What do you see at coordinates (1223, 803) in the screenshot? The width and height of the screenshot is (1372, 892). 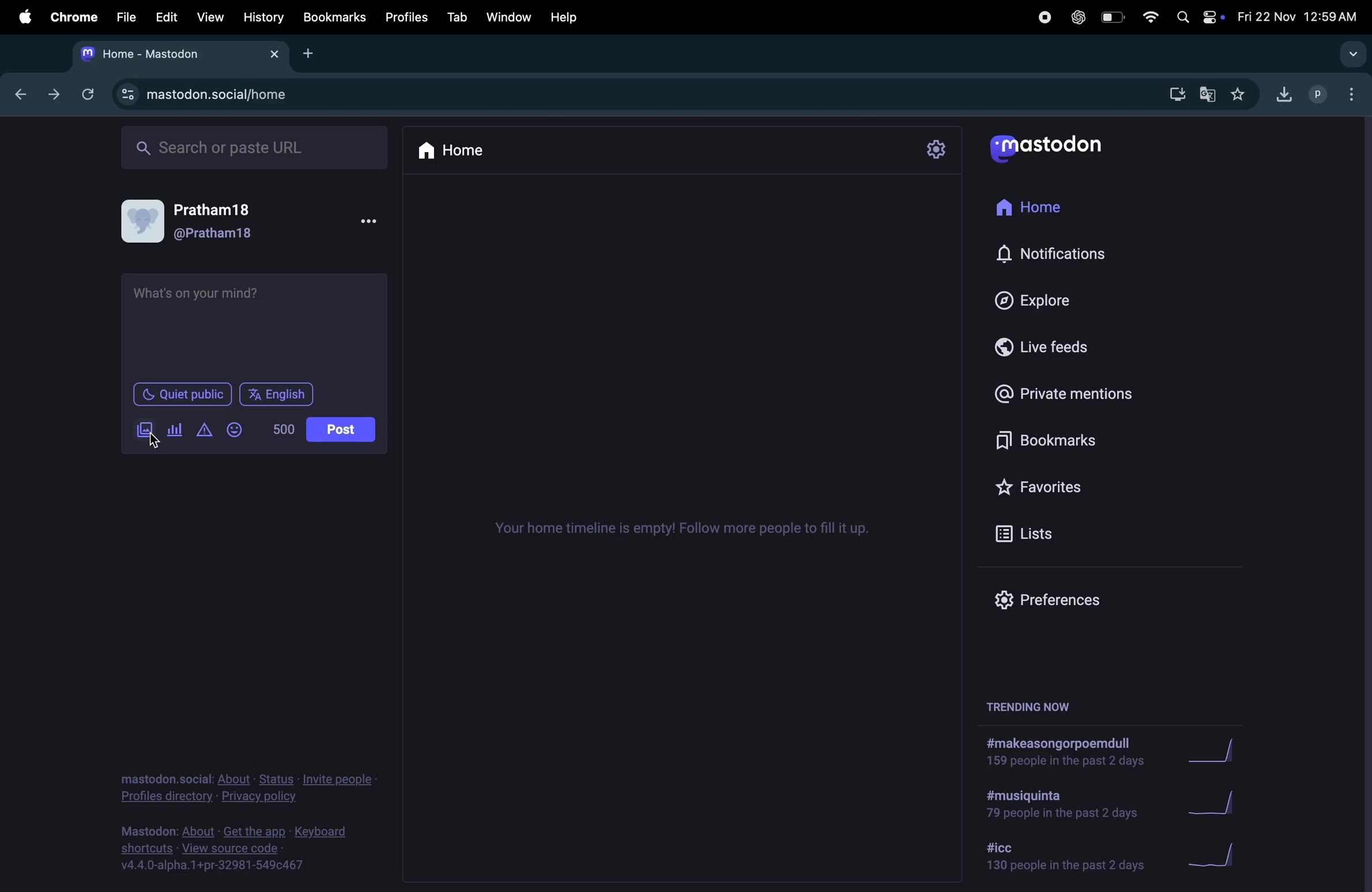 I see `graphs` at bounding box center [1223, 803].